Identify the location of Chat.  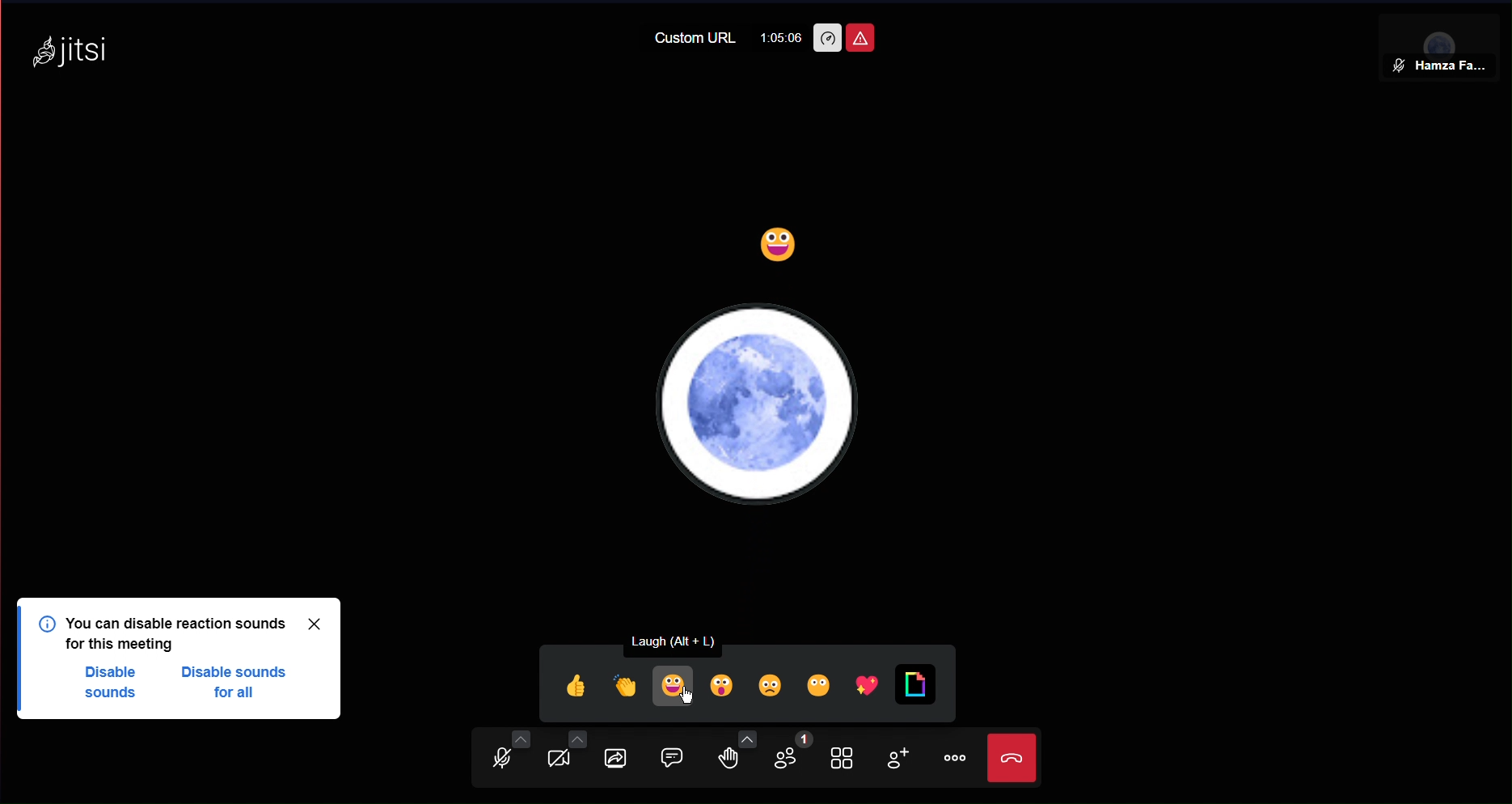
(681, 758).